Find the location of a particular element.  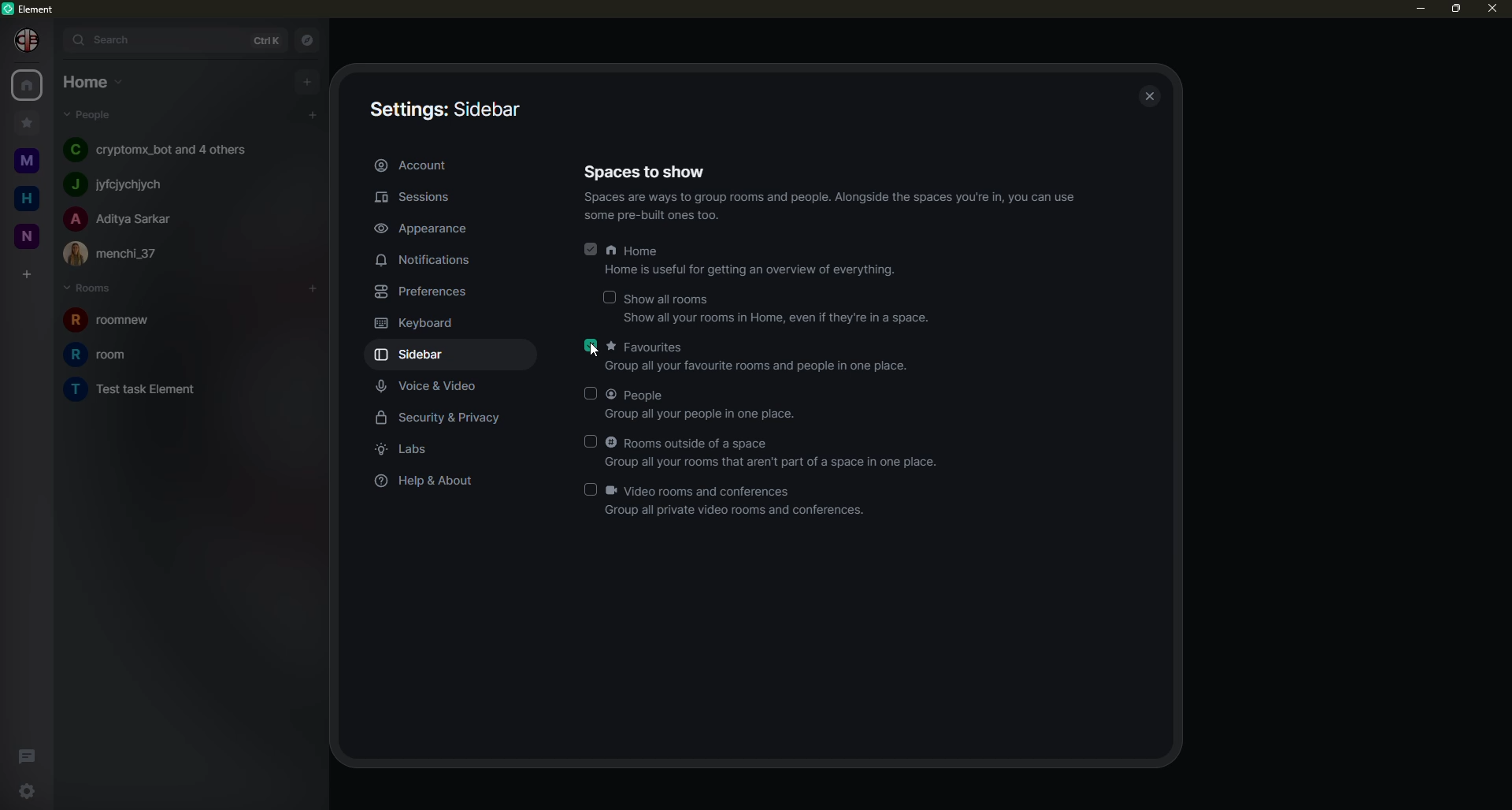

preferences is located at coordinates (421, 292).